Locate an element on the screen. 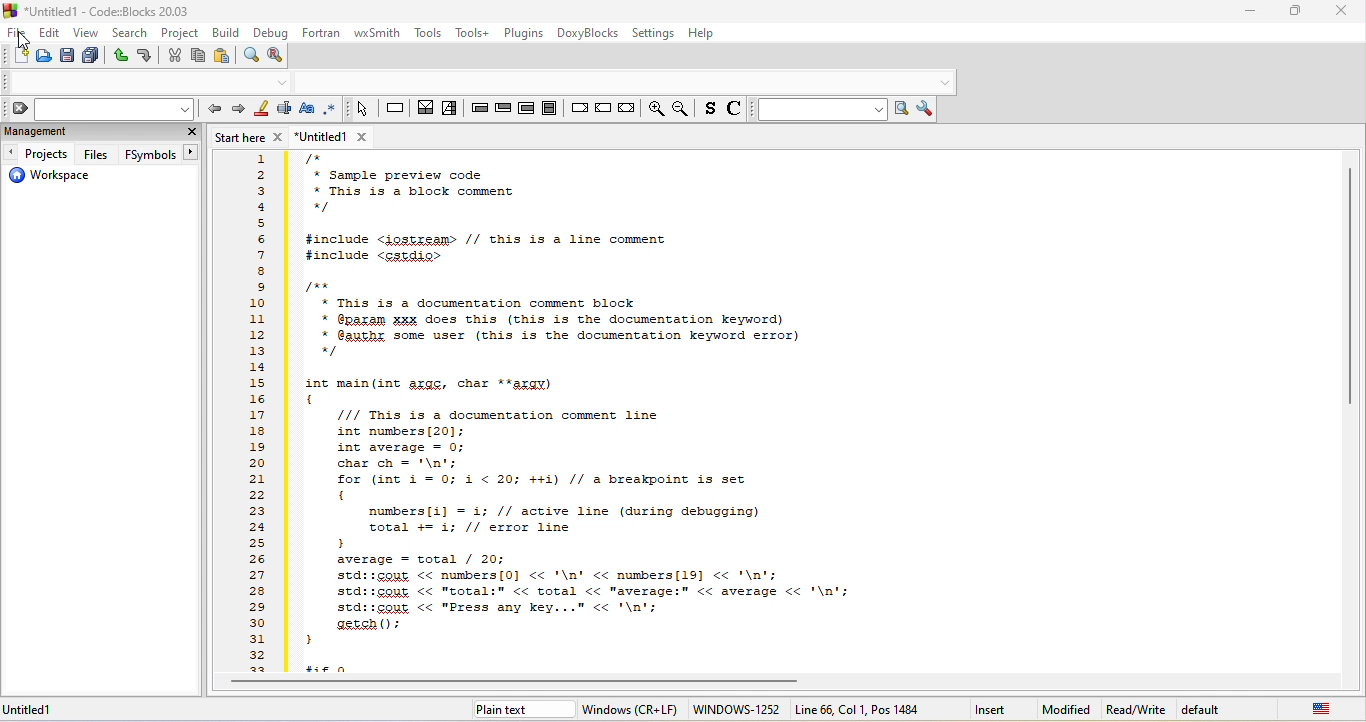 Image resolution: width=1366 pixels, height=722 pixels. exit is located at coordinates (503, 111).